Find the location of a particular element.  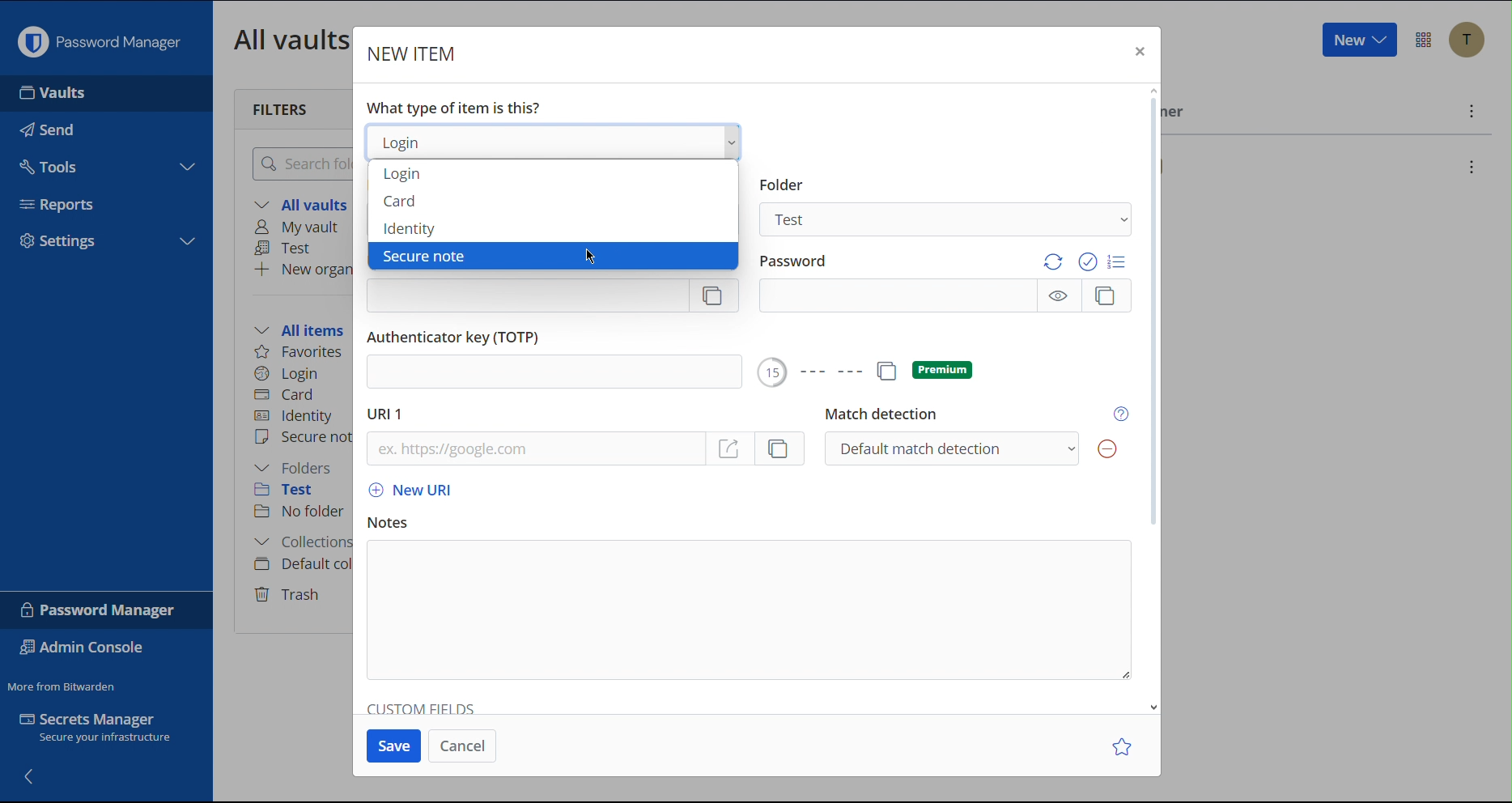

Password Manager is located at coordinates (100, 610).